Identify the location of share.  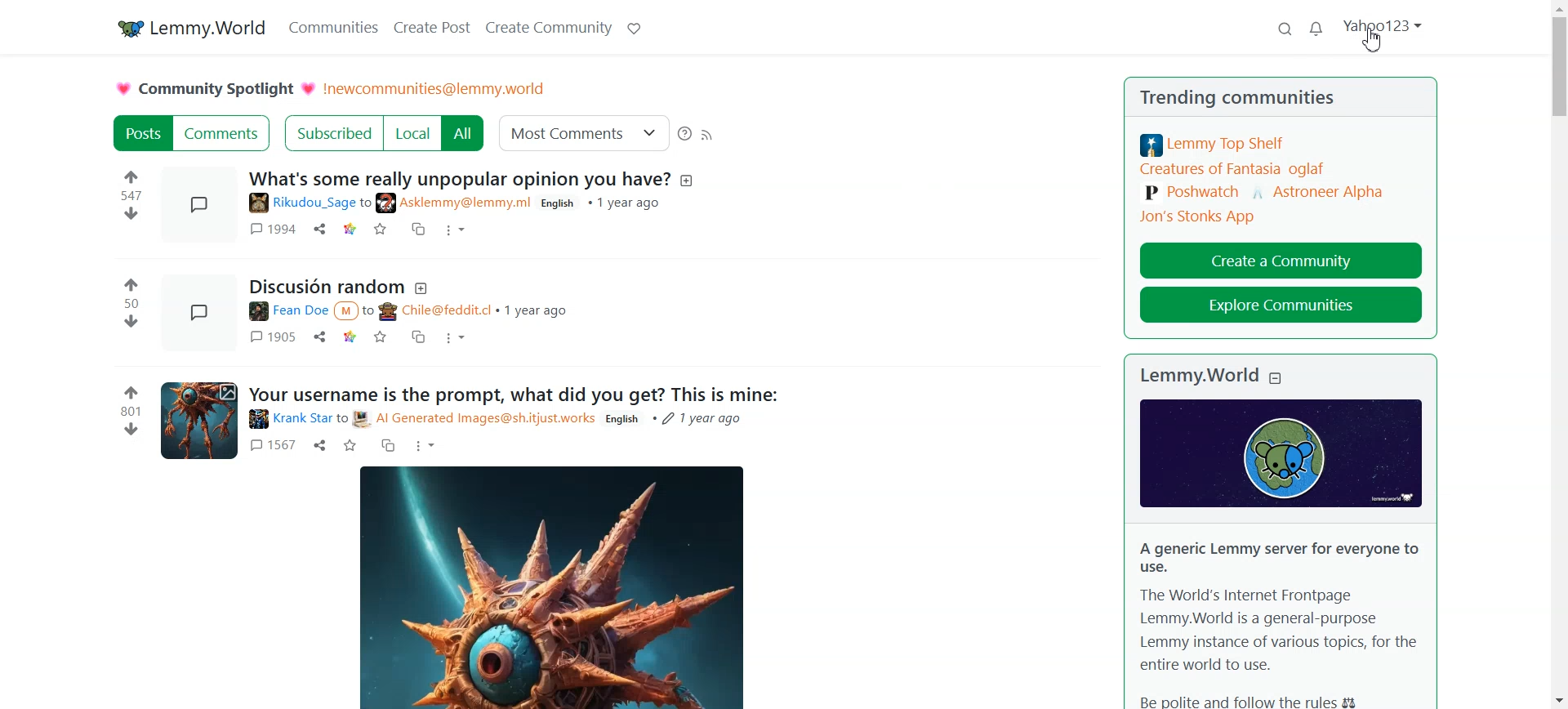
(319, 228).